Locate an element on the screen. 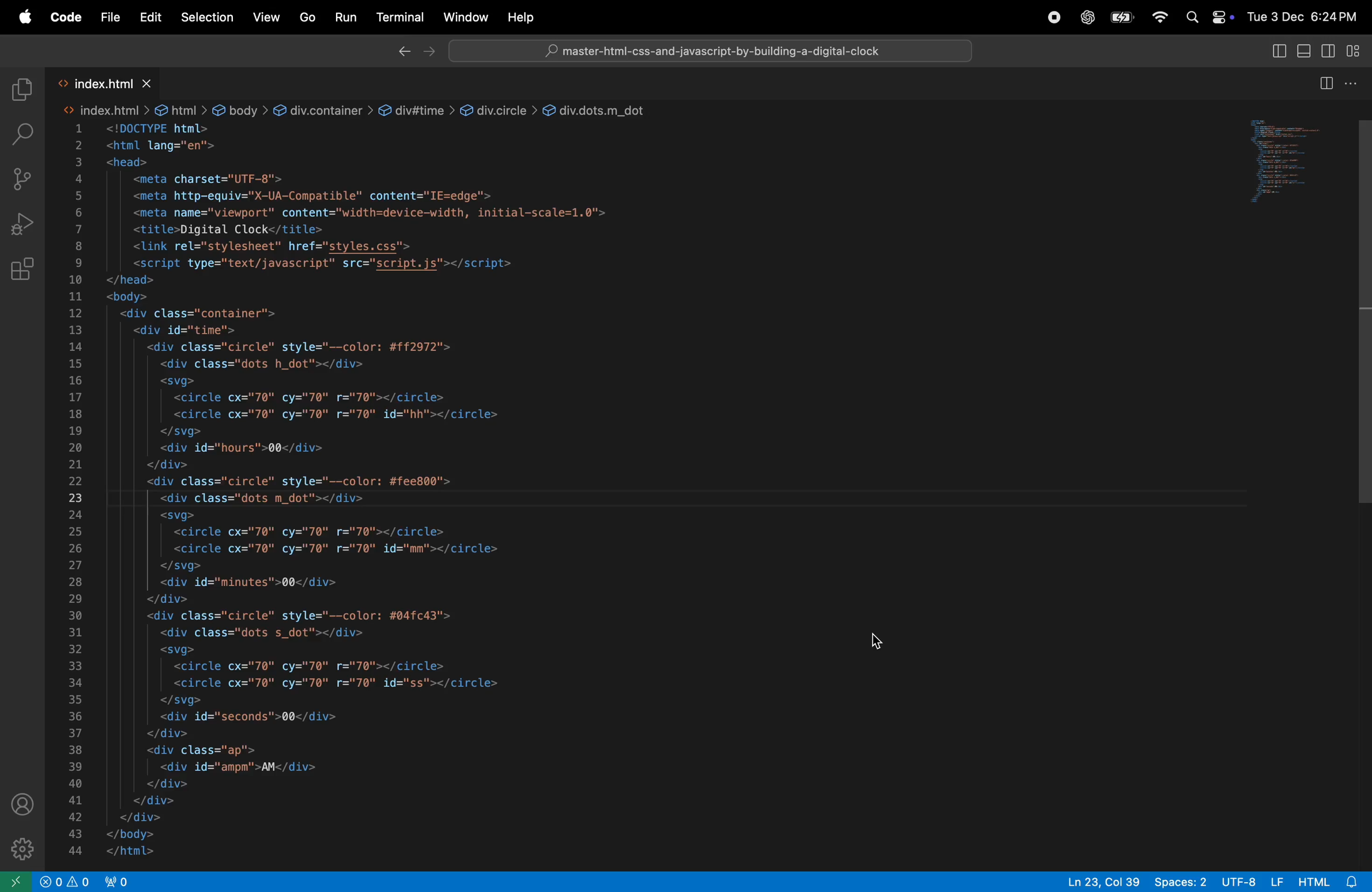 The height and width of the screenshot is (892, 1372). View is located at coordinates (265, 18).